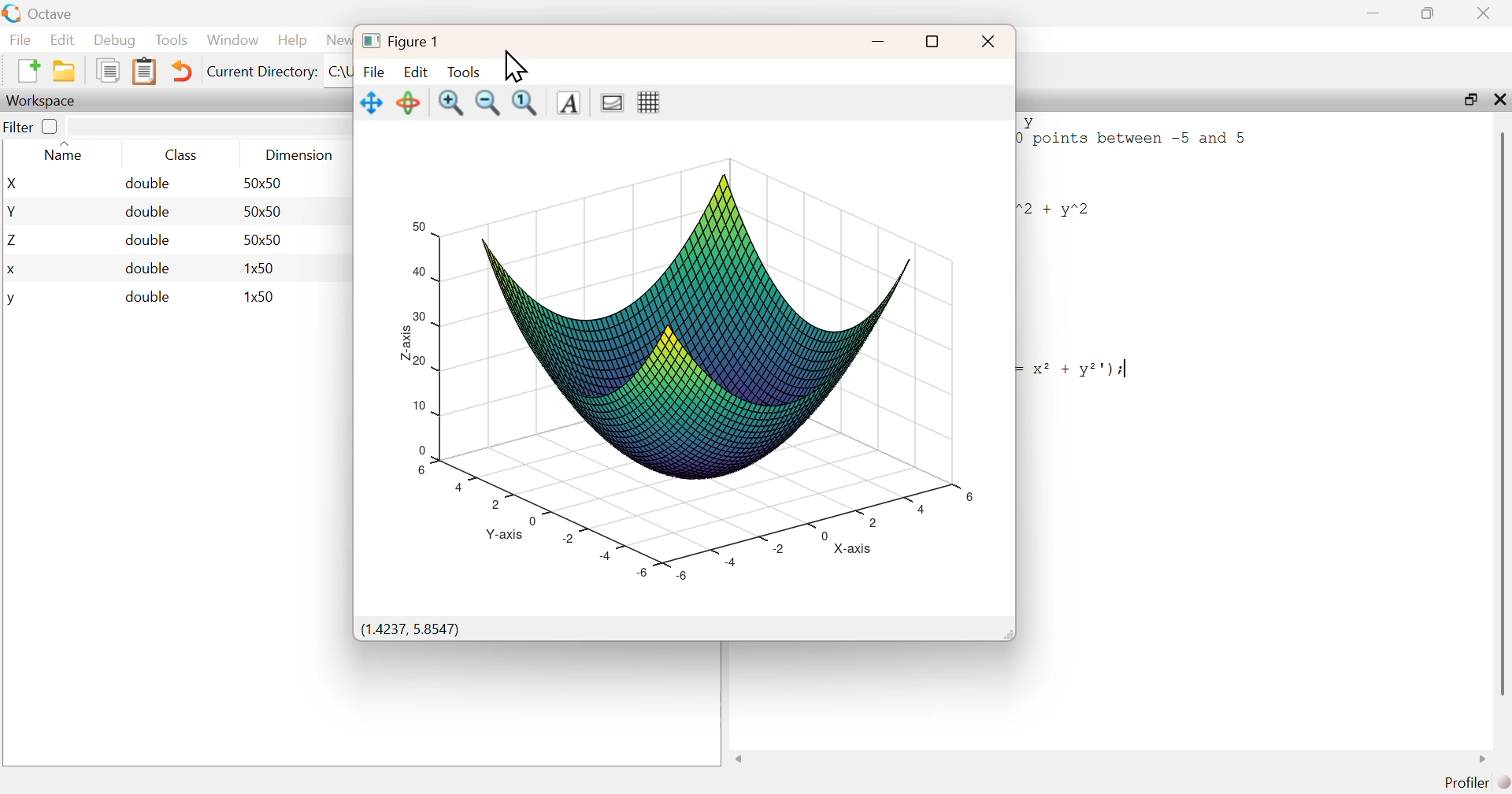 The image size is (1512, 794). What do you see at coordinates (416, 72) in the screenshot?
I see `Edit` at bounding box center [416, 72].